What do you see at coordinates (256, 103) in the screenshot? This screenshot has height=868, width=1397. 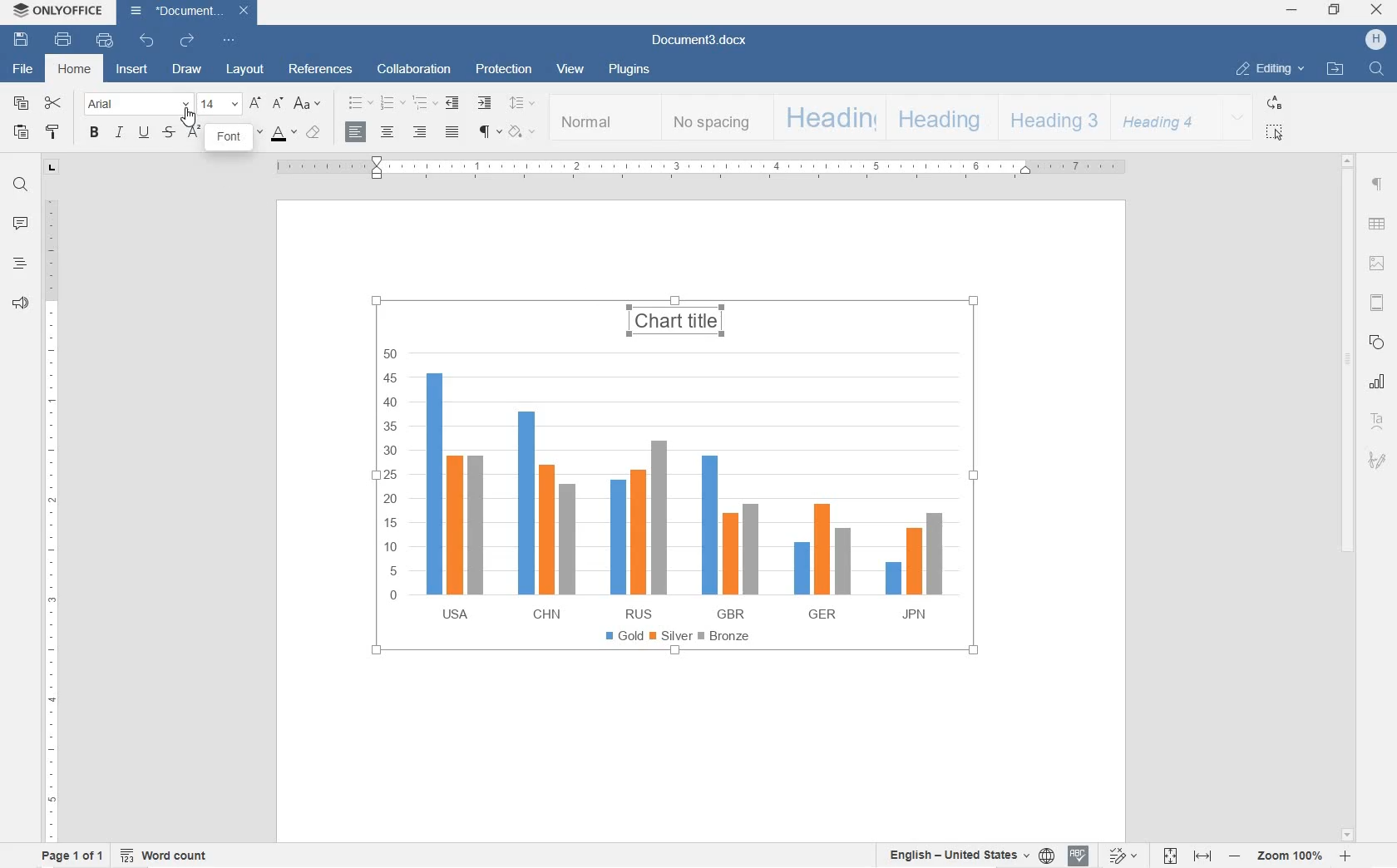 I see `INCREMENT FONT SIZE` at bounding box center [256, 103].